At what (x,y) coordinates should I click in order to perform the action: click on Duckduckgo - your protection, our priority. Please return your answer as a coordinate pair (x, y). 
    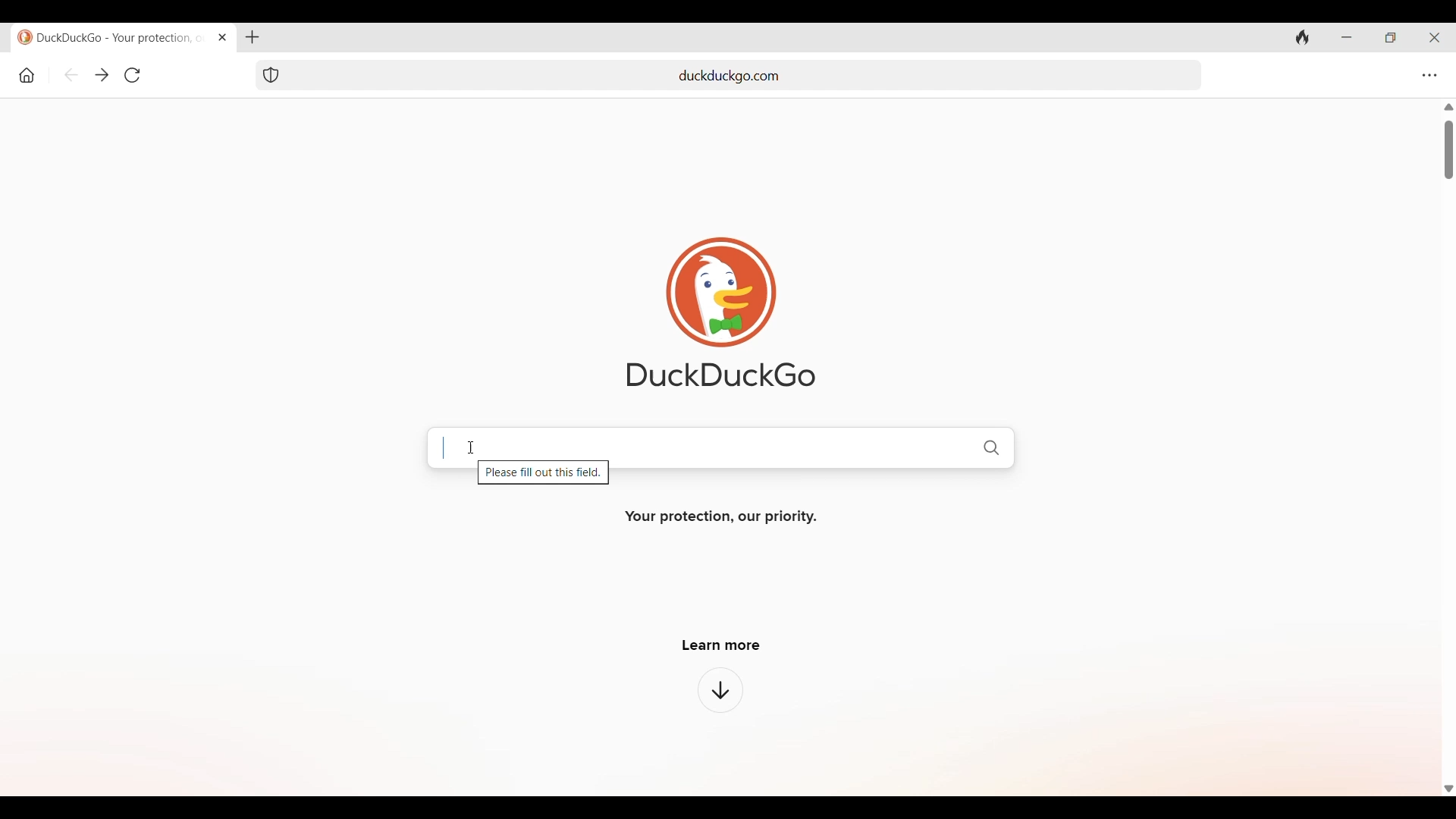
    Looking at the image, I should click on (108, 37).